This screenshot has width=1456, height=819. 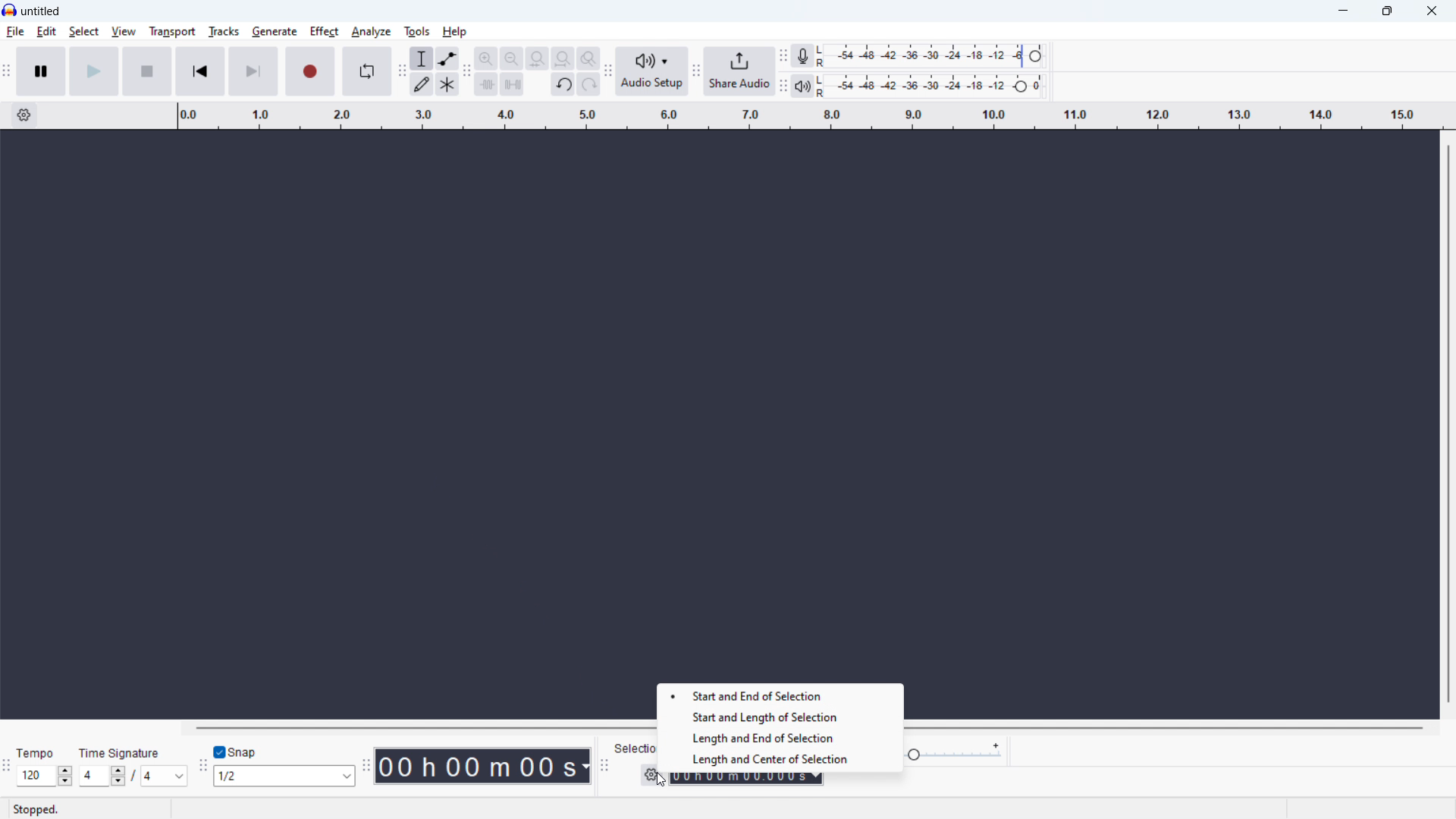 I want to click on record, so click(x=310, y=71).